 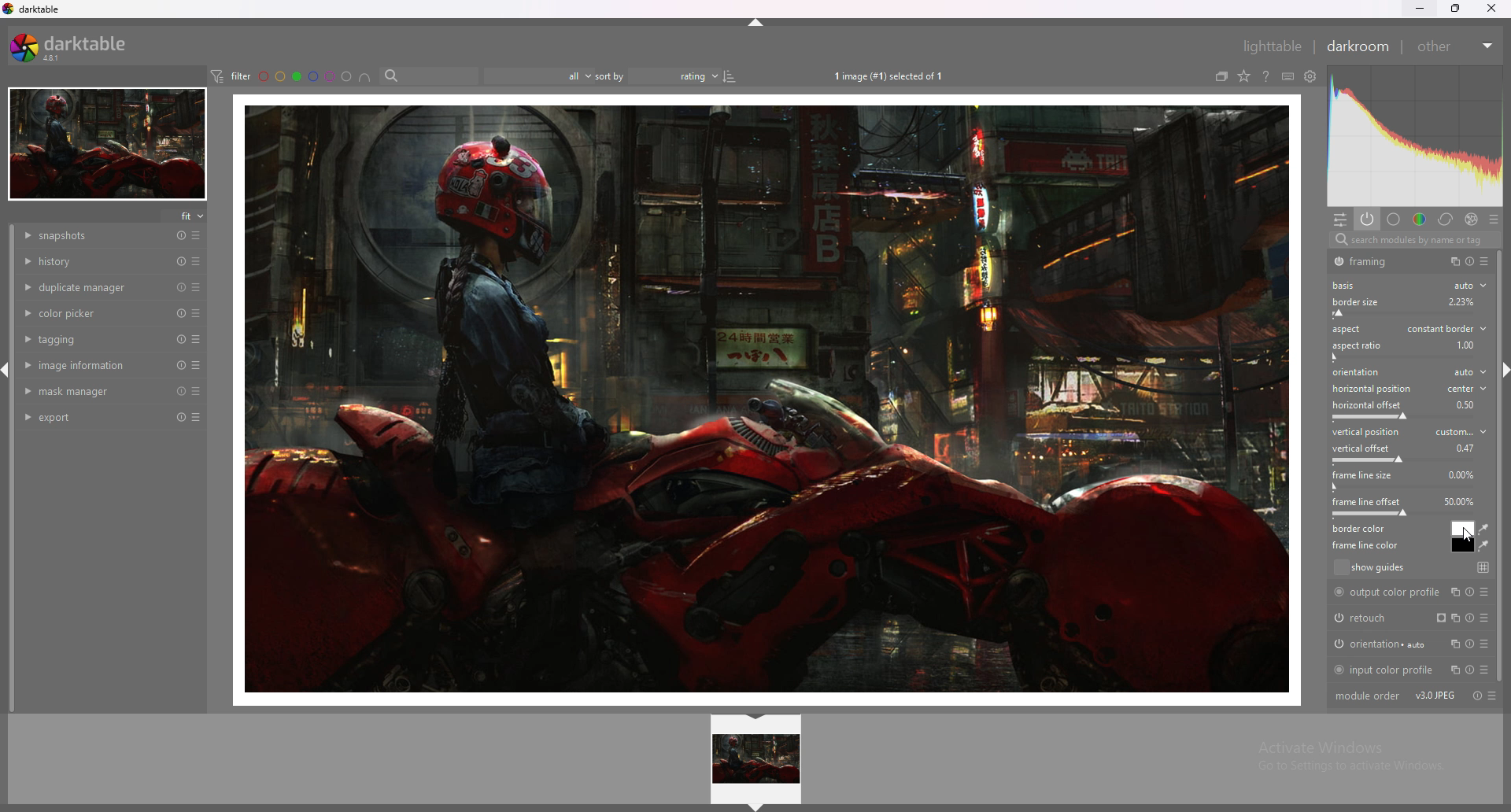 I want to click on reset, so click(x=181, y=287).